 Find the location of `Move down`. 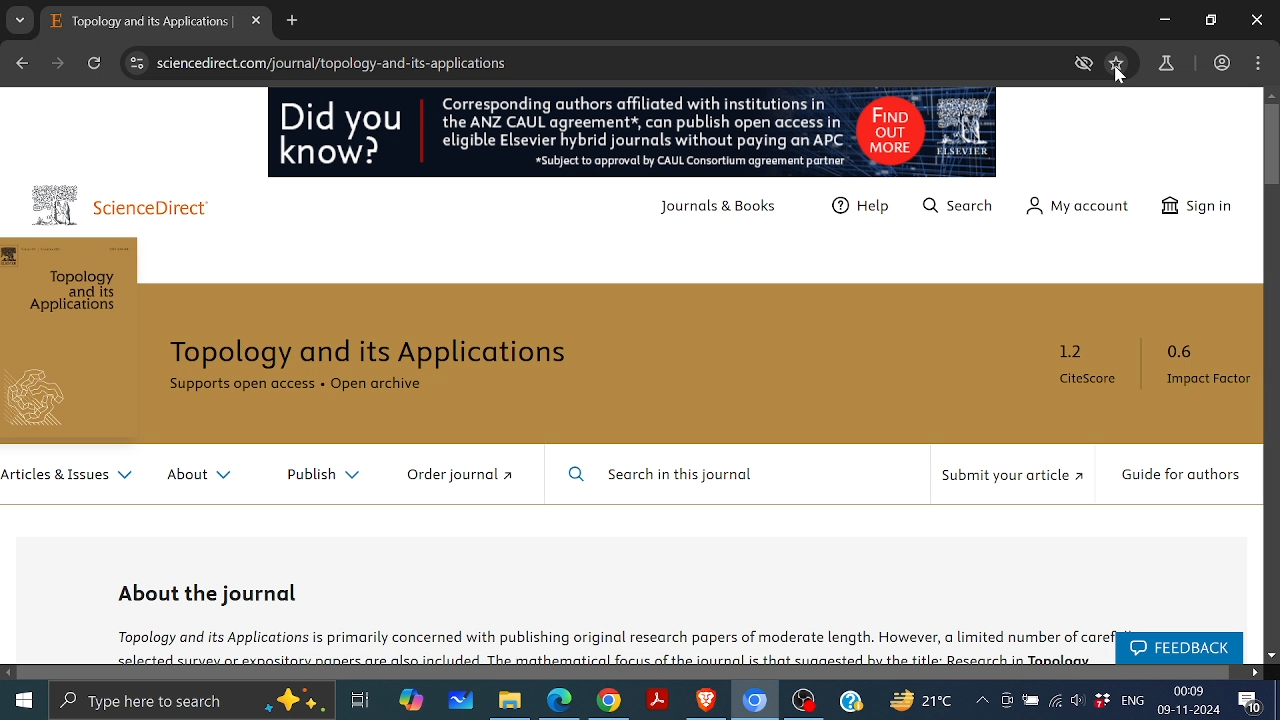

Move down is located at coordinates (1272, 656).